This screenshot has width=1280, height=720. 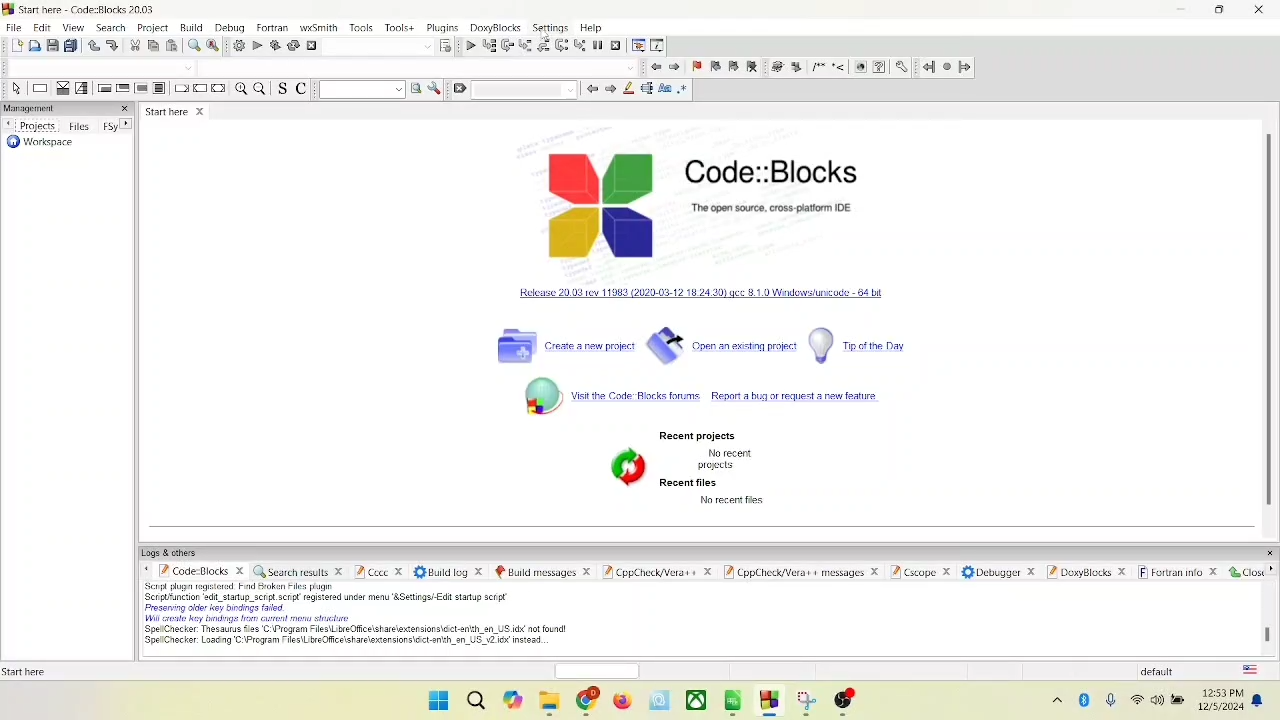 What do you see at coordinates (667, 89) in the screenshot?
I see `match case` at bounding box center [667, 89].